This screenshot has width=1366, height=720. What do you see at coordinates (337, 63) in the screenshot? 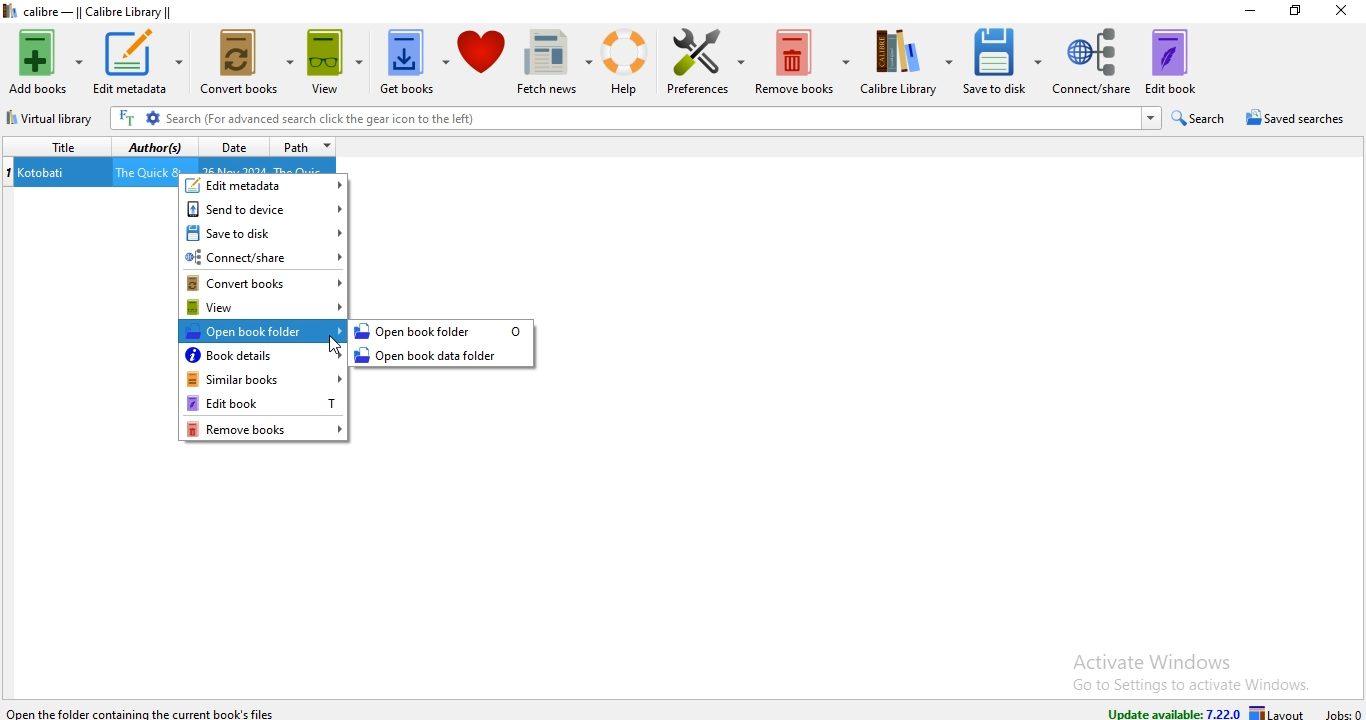
I see `view books` at bounding box center [337, 63].